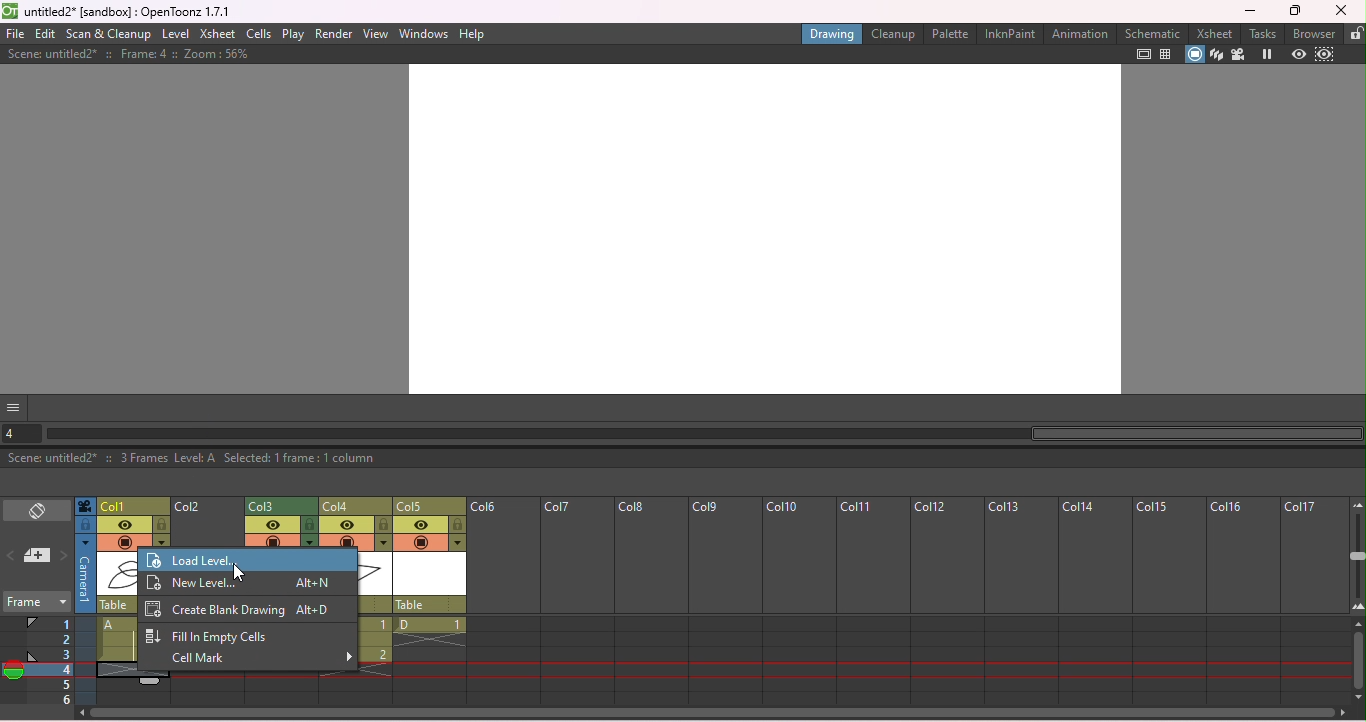 The height and width of the screenshot is (722, 1366). I want to click on column 6, so click(503, 602).